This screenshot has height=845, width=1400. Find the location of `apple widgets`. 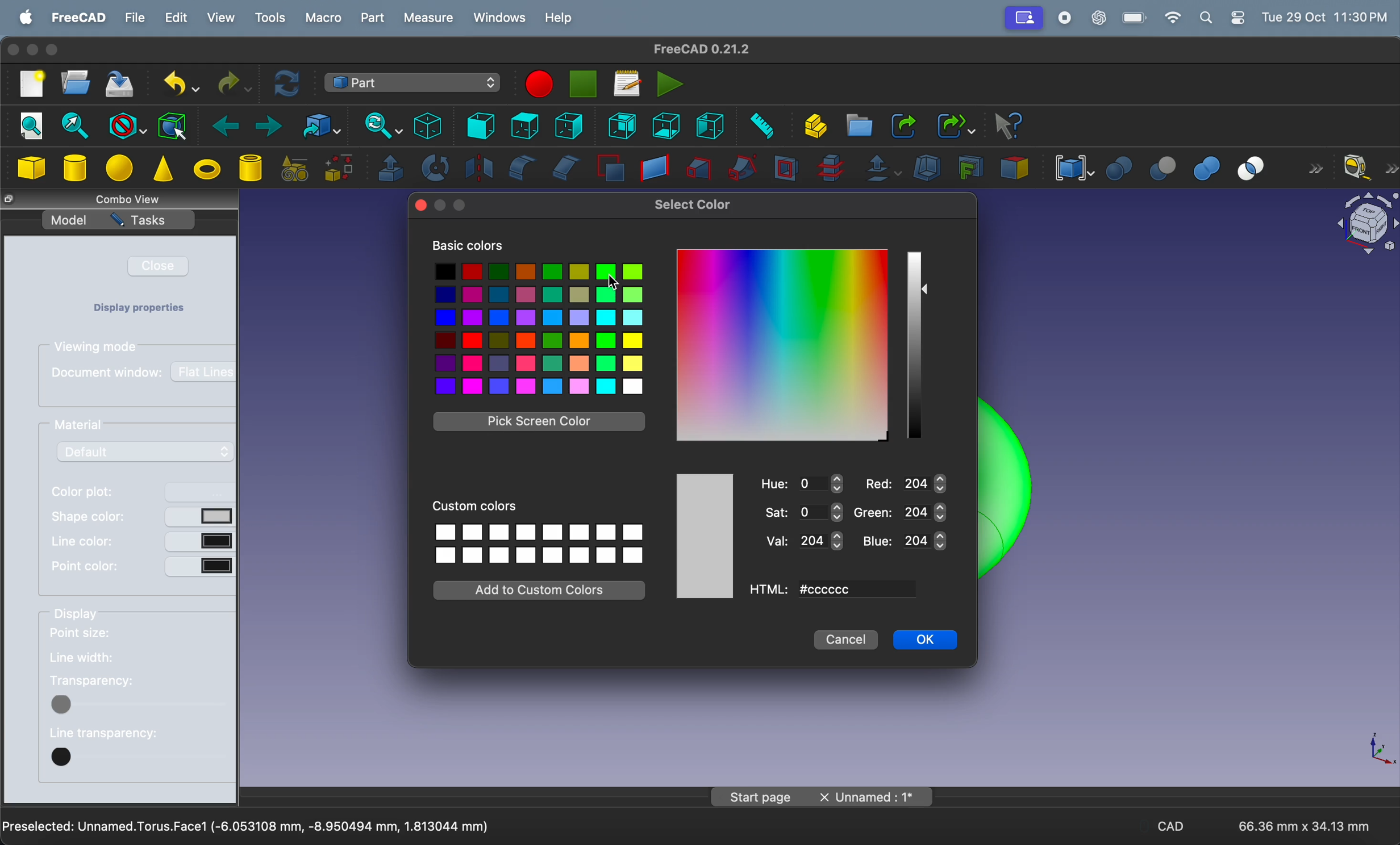

apple widgets is located at coordinates (1209, 18).